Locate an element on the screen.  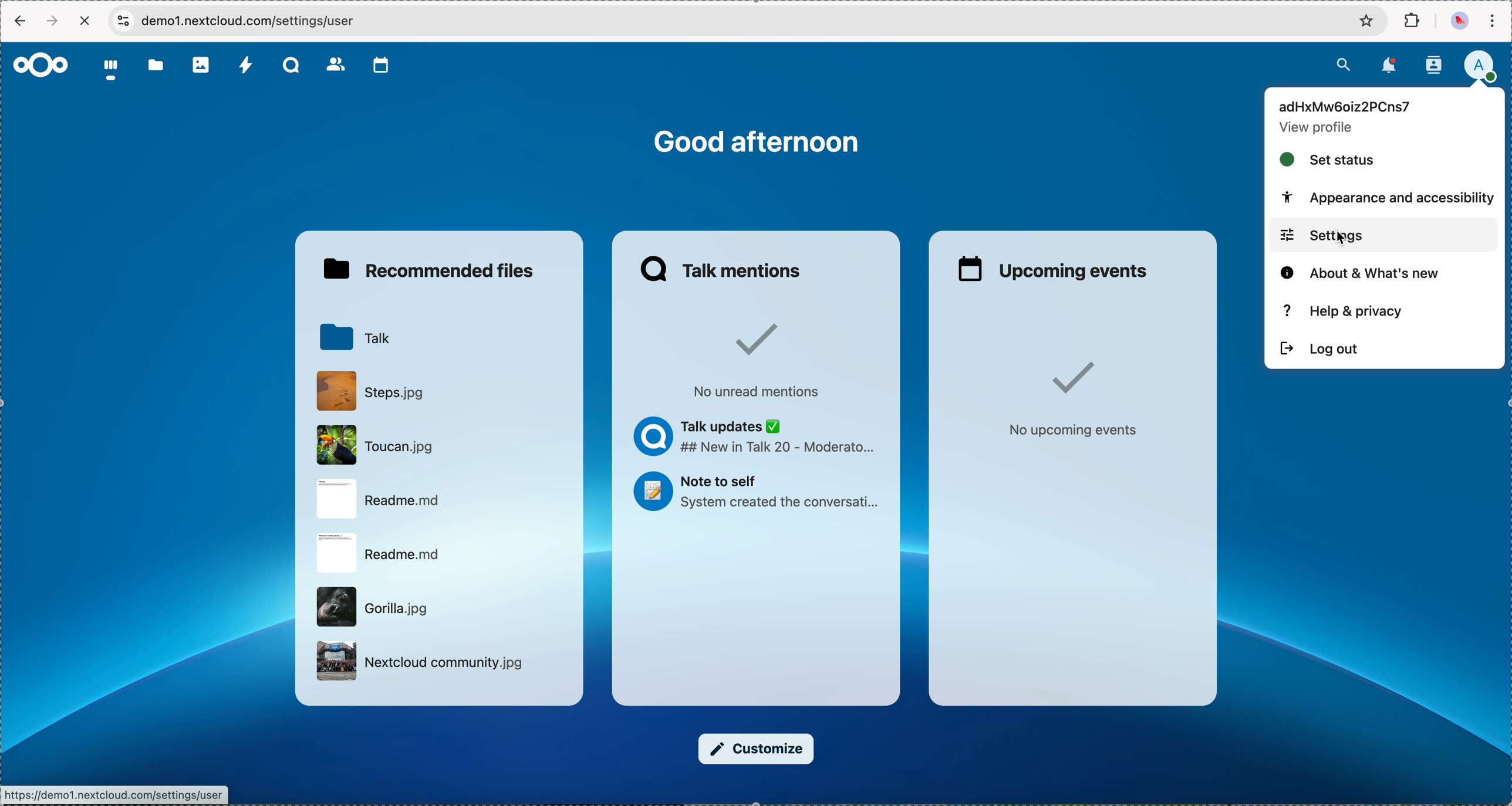
controls is located at coordinates (123, 20).